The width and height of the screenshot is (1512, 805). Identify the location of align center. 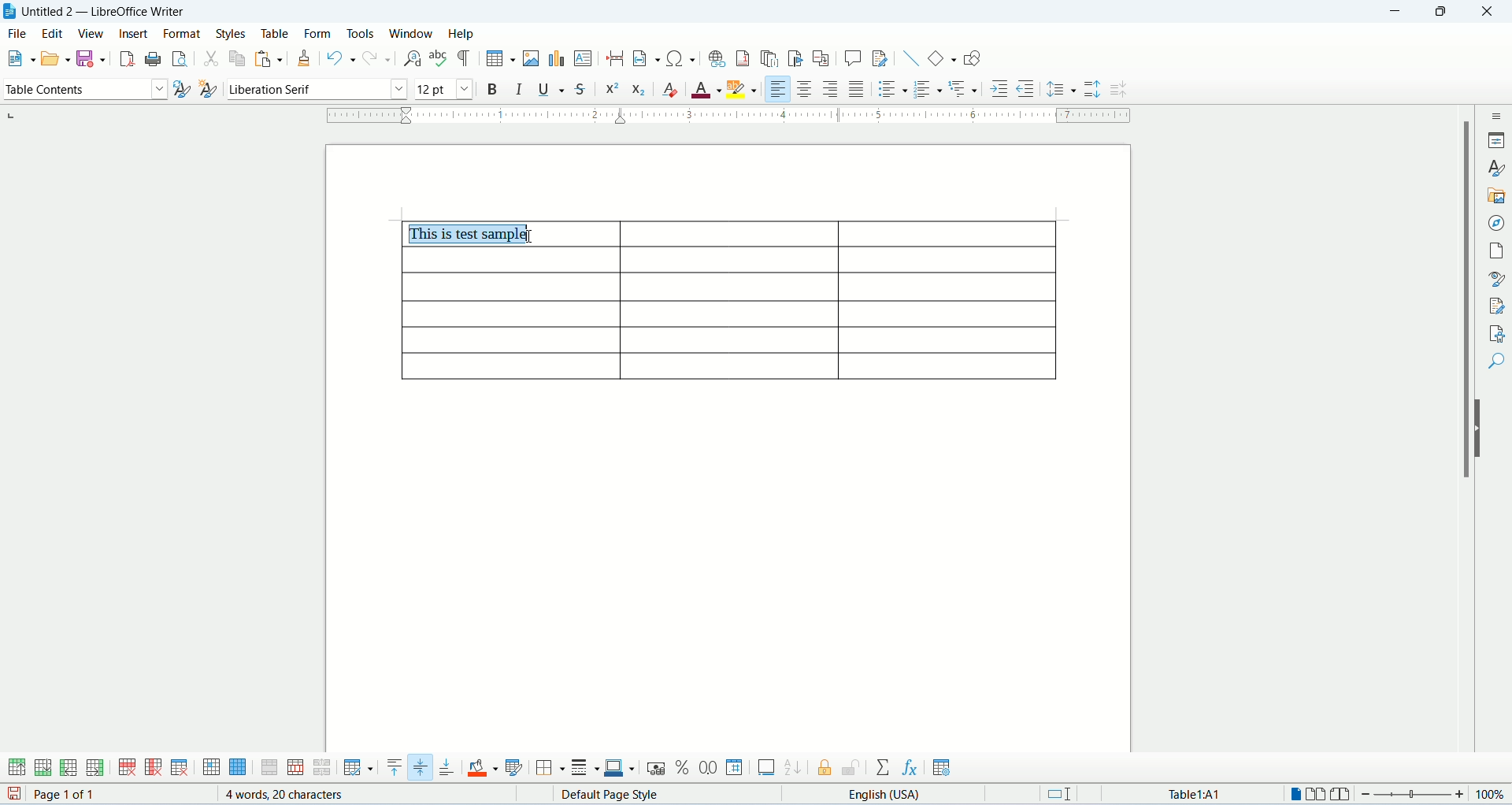
(807, 89).